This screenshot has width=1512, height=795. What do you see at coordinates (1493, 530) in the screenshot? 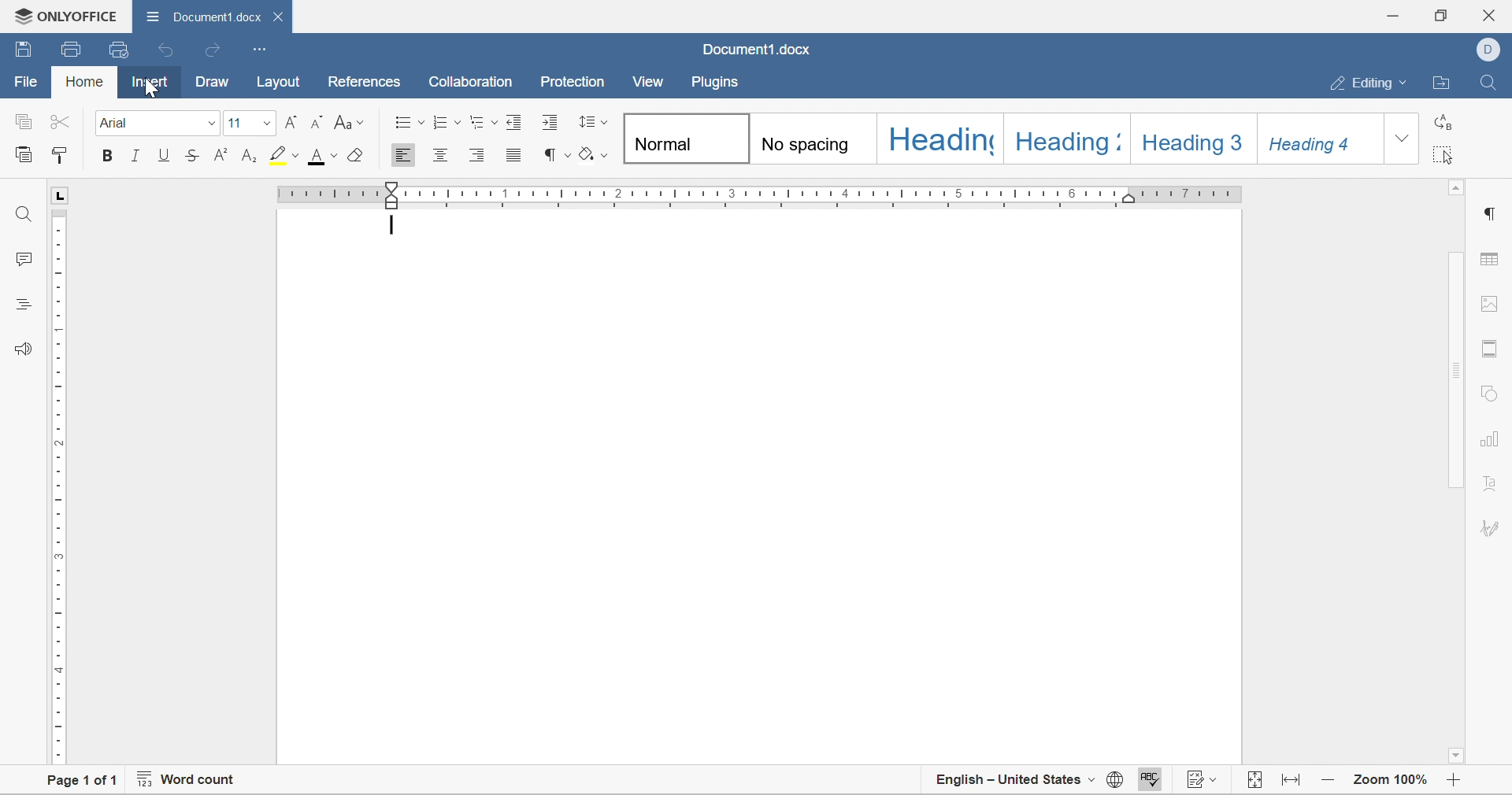
I see `Text art settings` at bounding box center [1493, 530].